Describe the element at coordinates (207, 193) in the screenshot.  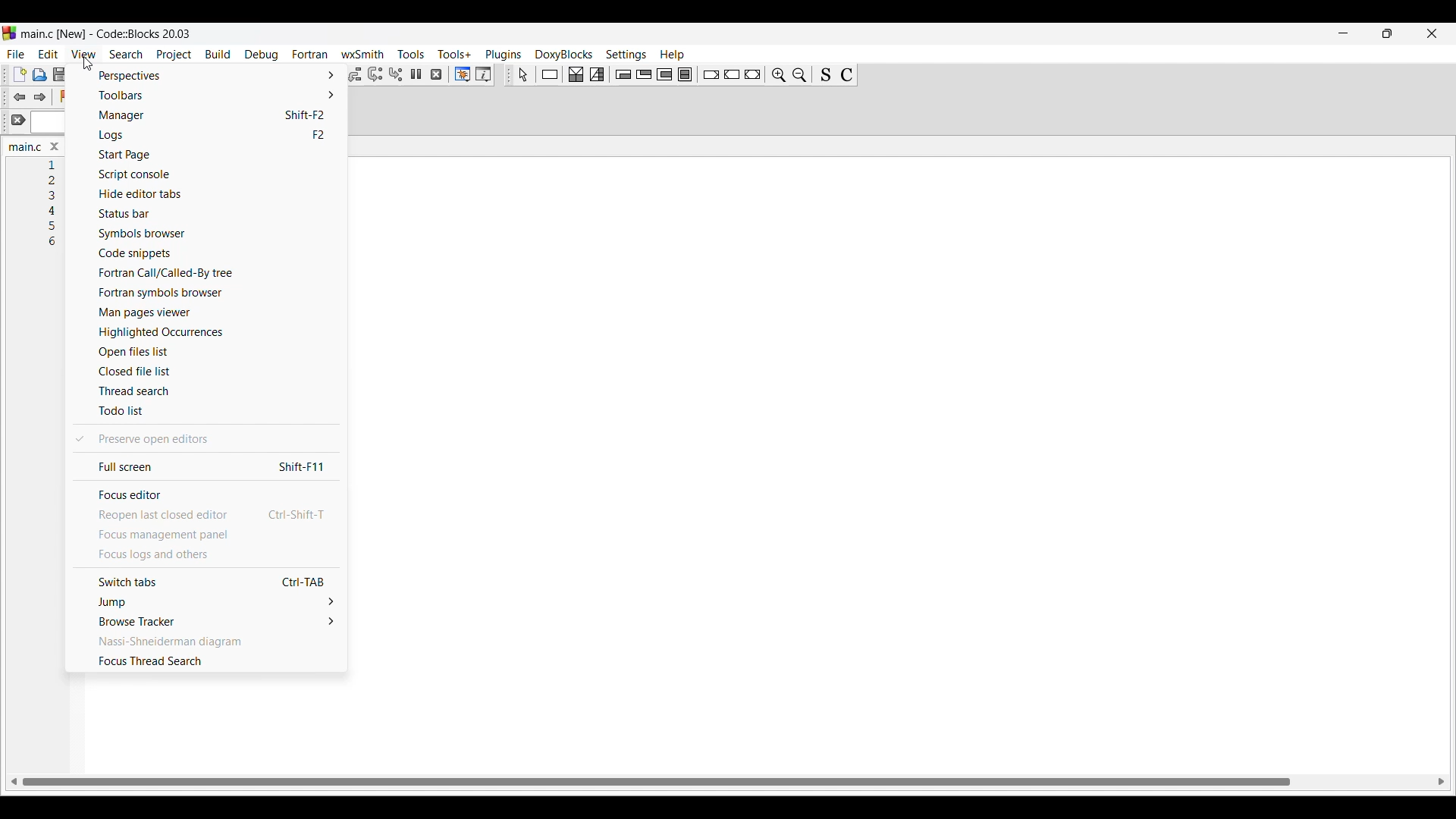
I see `Hide editor tabs` at that location.